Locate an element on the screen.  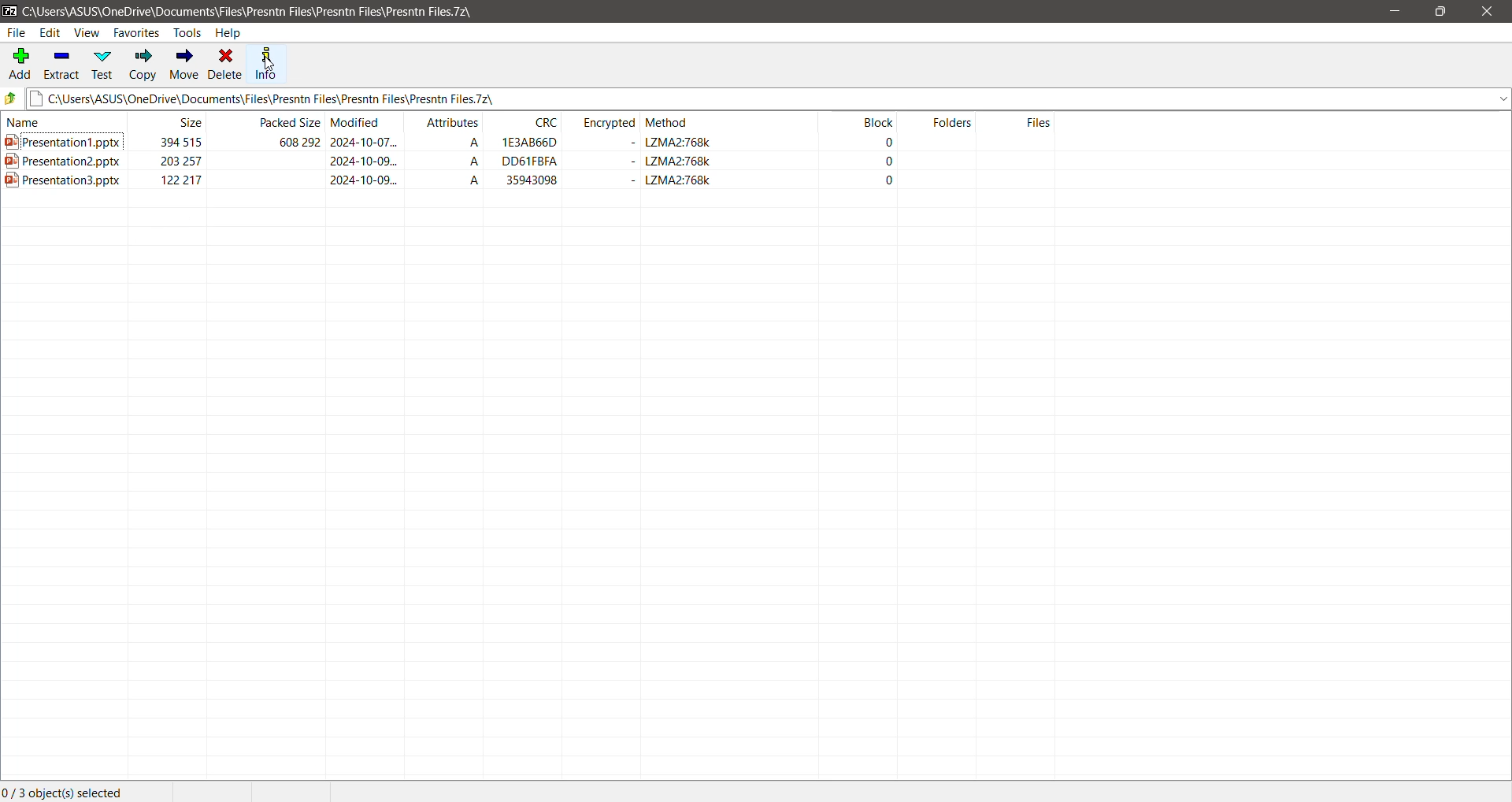
Created is located at coordinates (533, 176).